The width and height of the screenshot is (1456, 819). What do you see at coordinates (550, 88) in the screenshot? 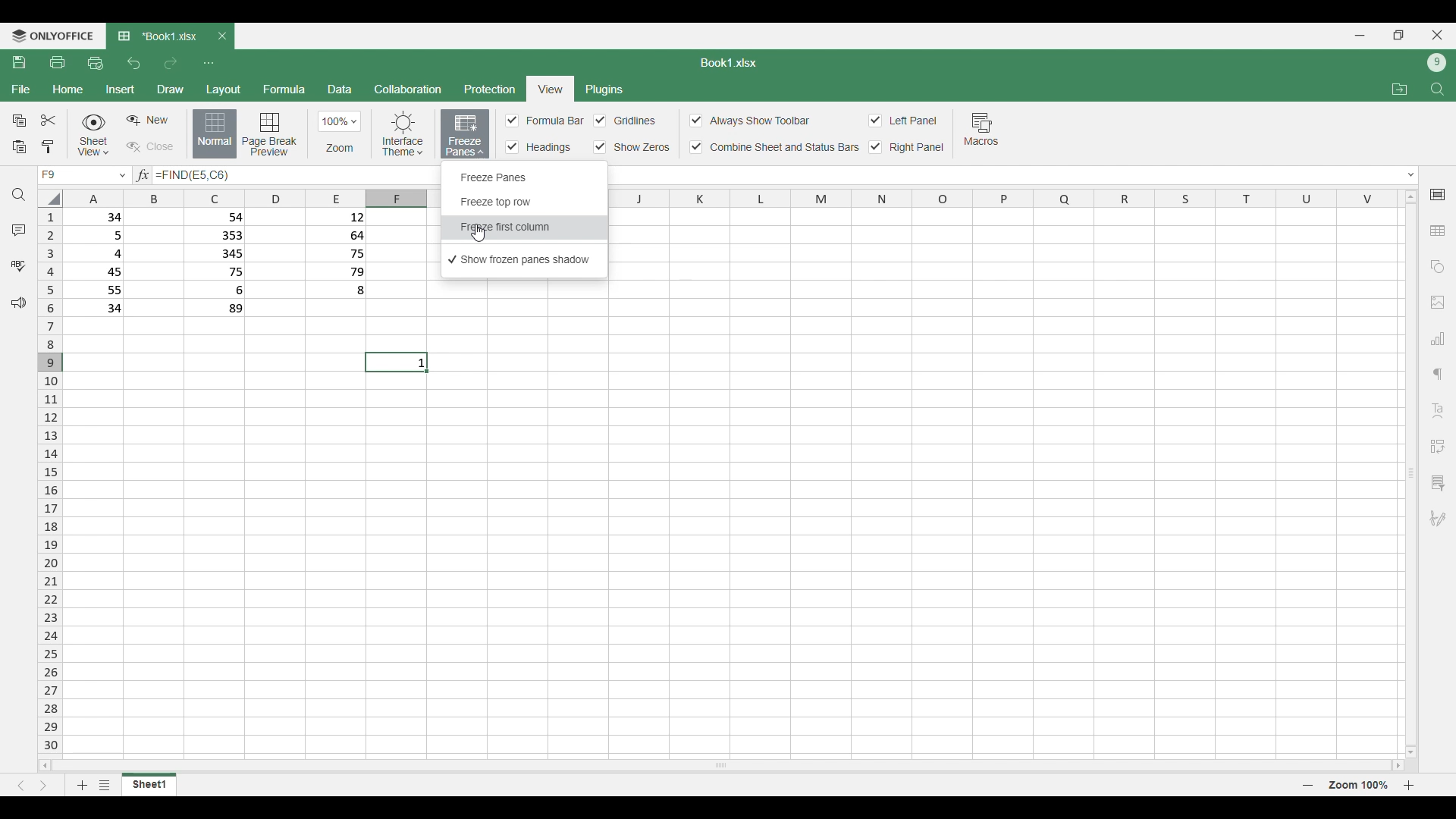
I see `Current selection: view menu` at bounding box center [550, 88].